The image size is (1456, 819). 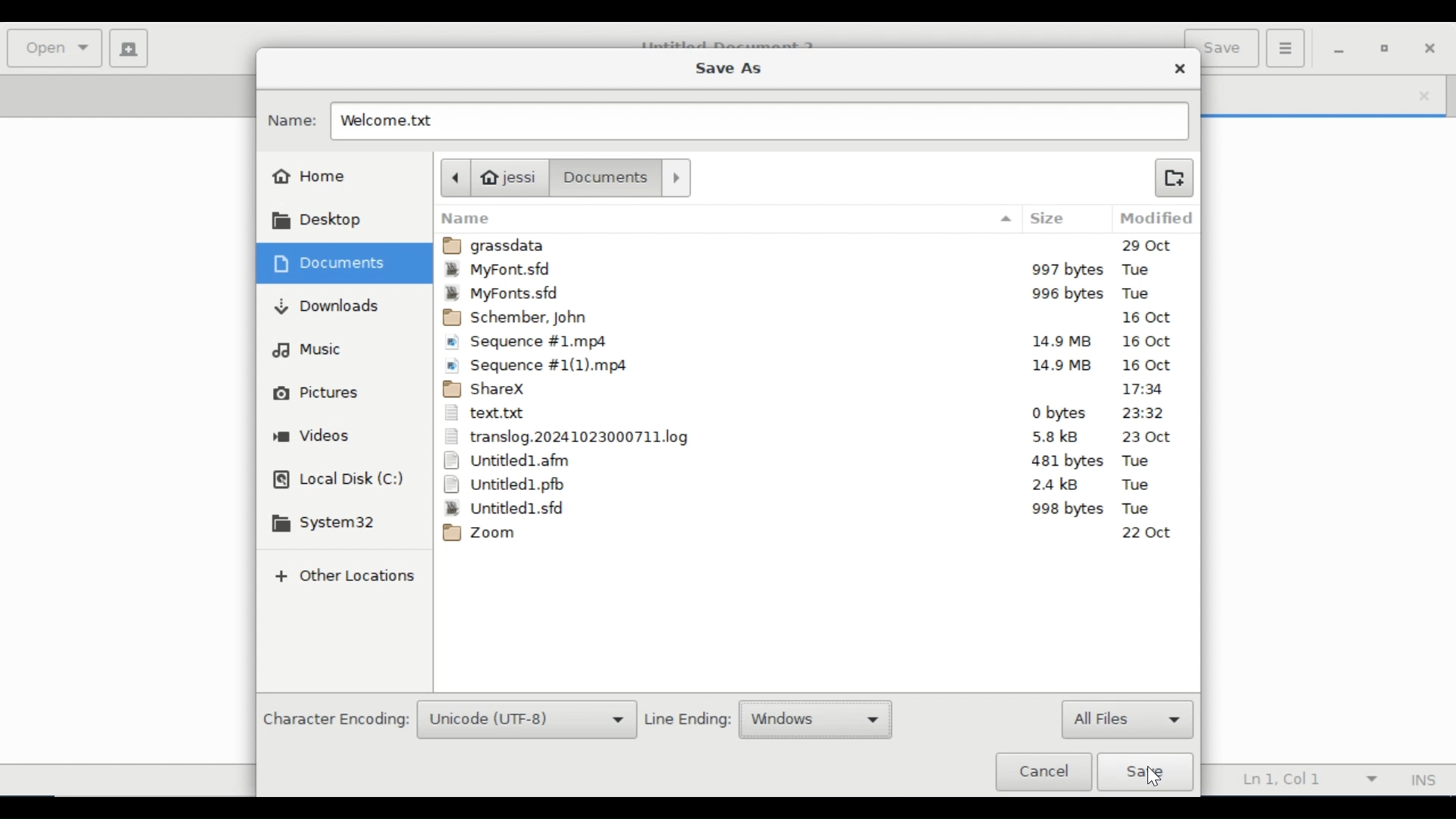 What do you see at coordinates (312, 437) in the screenshot?
I see `Videos` at bounding box center [312, 437].